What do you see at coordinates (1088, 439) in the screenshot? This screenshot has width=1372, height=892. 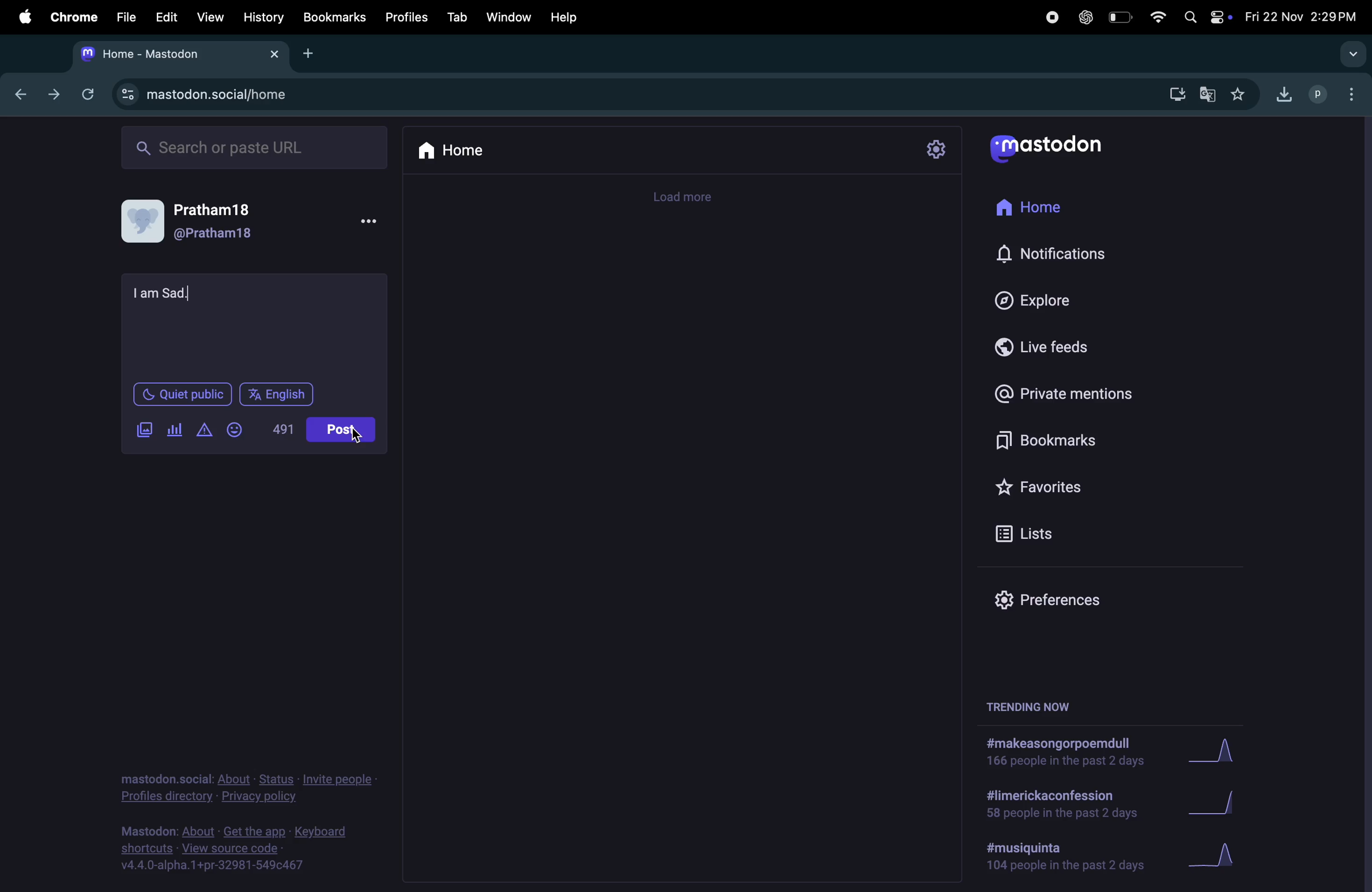 I see `bookmarks` at bounding box center [1088, 439].